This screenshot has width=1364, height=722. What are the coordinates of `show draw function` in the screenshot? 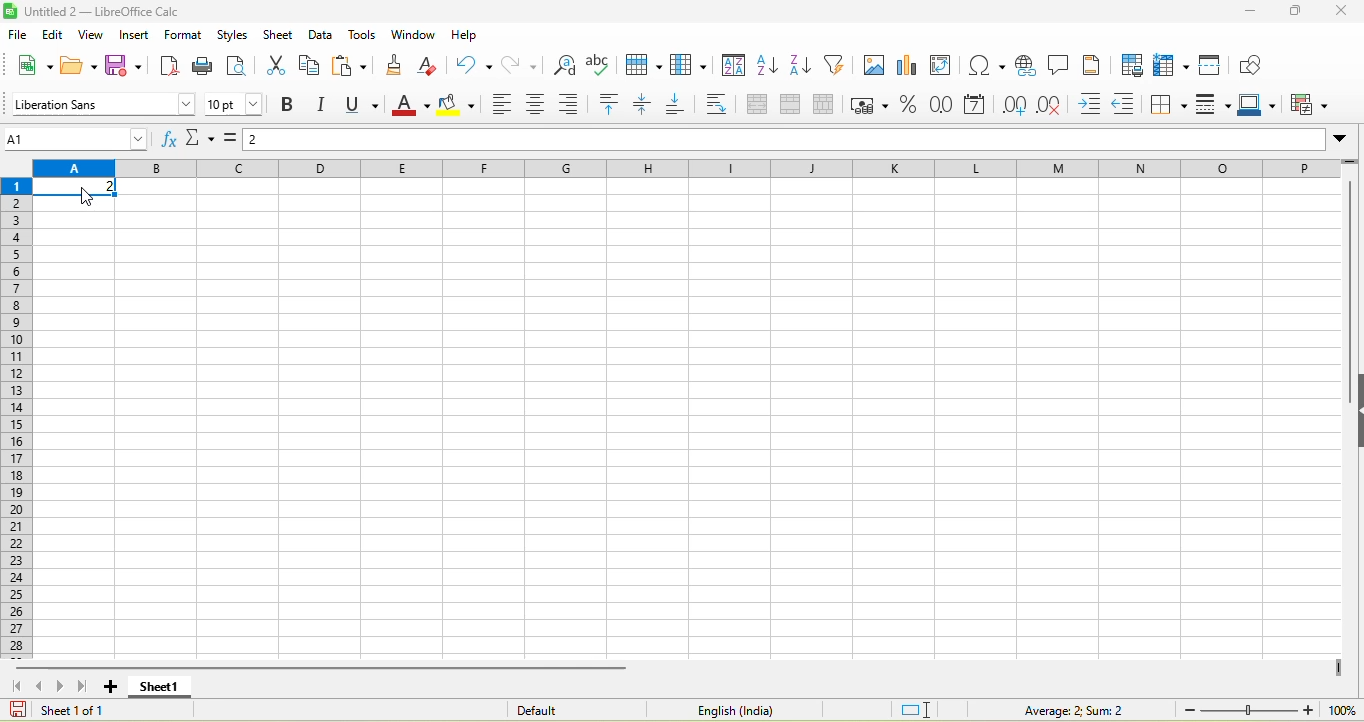 It's located at (1261, 66).